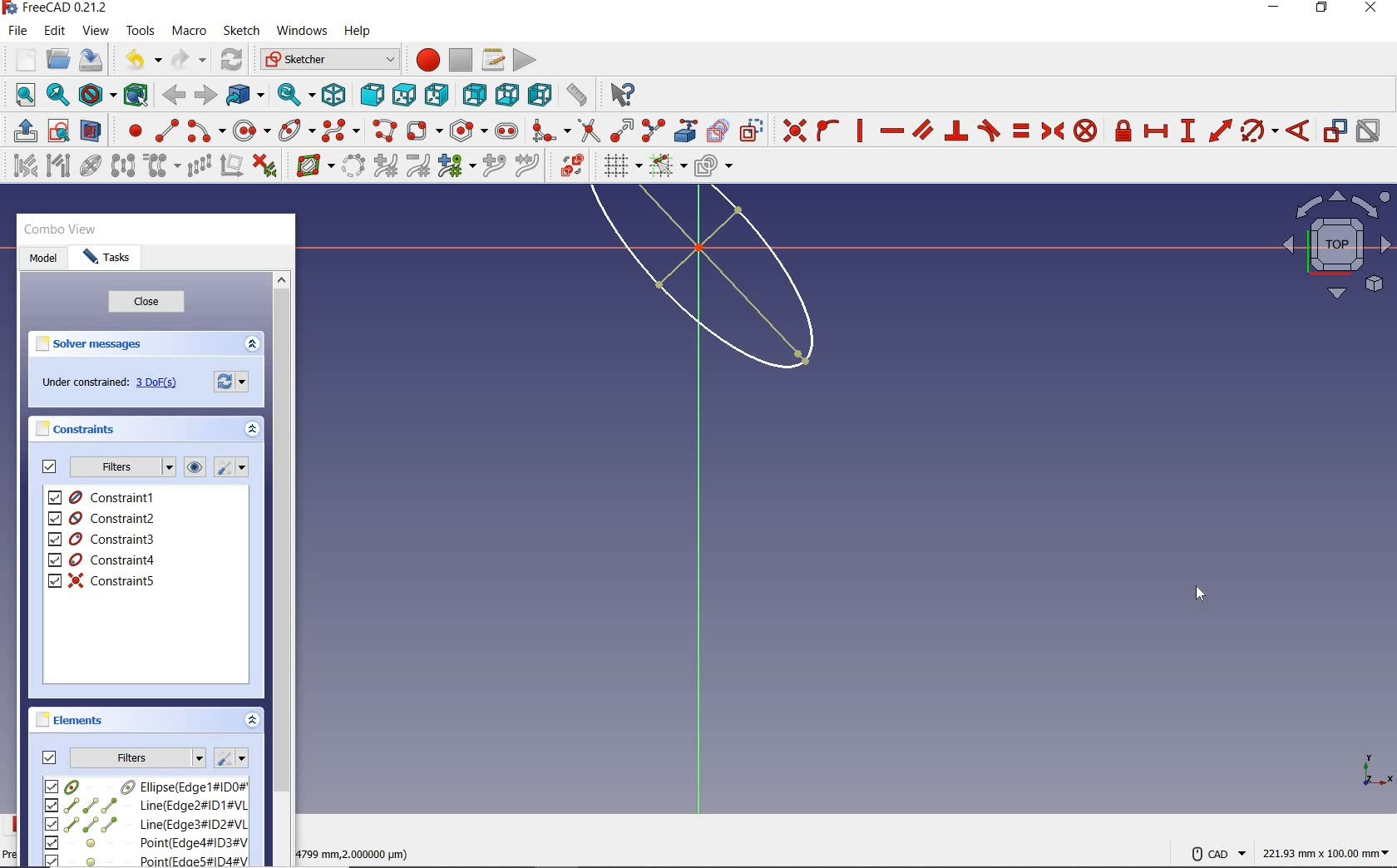 Image resolution: width=1397 pixels, height=868 pixels. What do you see at coordinates (718, 129) in the screenshot?
I see `create carbon copy` at bounding box center [718, 129].